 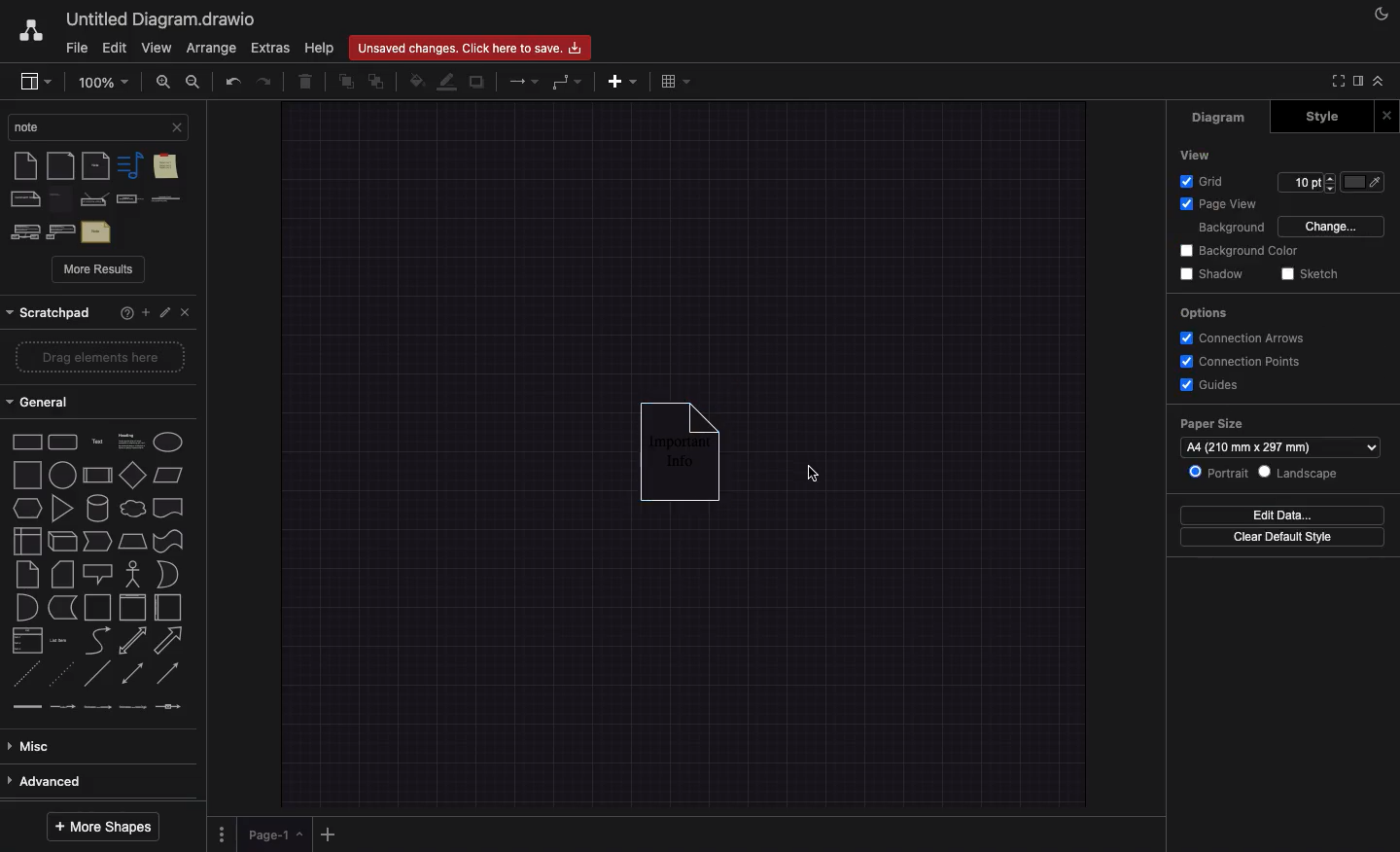 What do you see at coordinates (1210, 385) in the screenshot?
I see `Guides` at bounding box center [1210, 385].